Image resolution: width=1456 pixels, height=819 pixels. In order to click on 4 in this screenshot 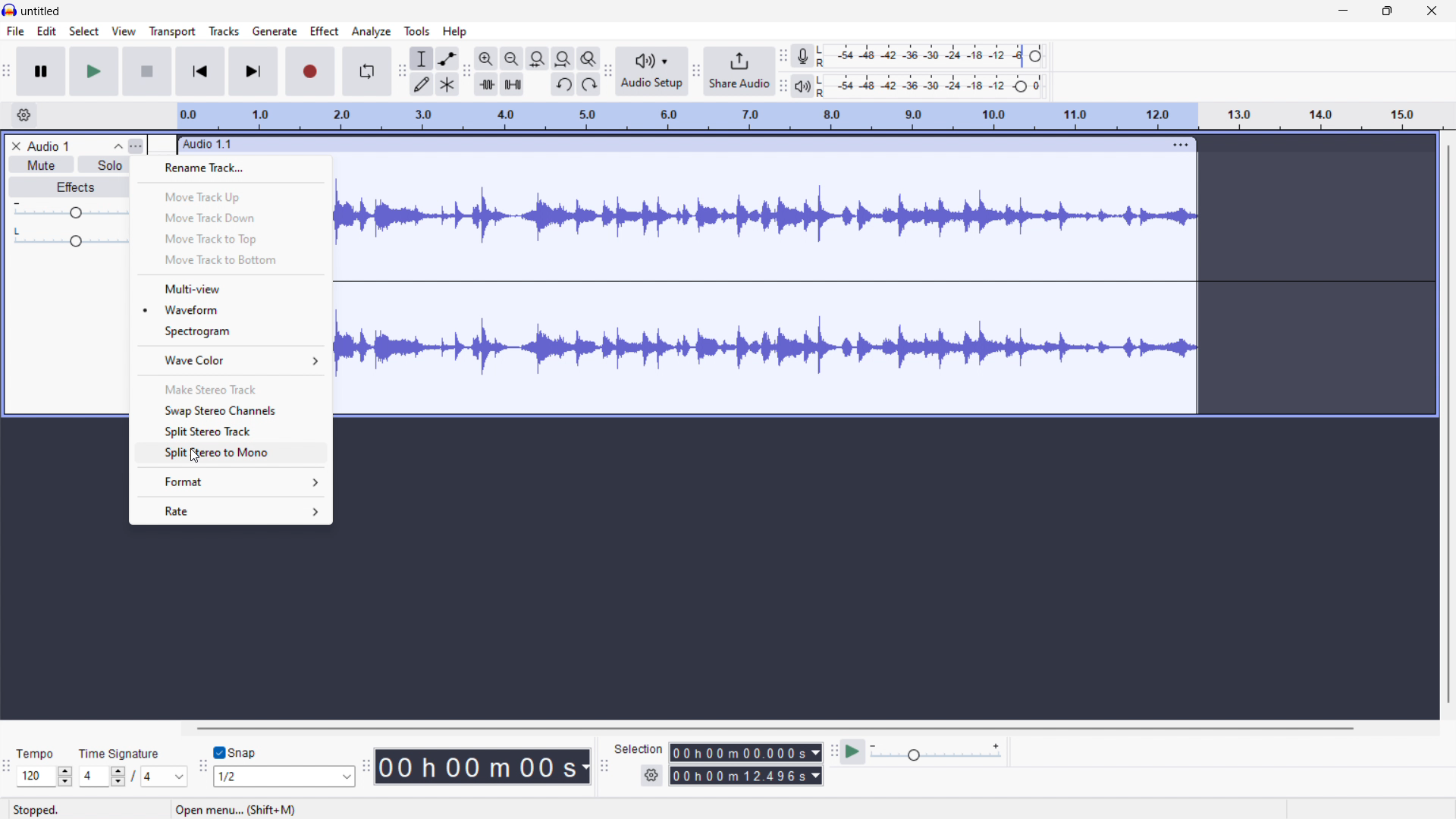, I will do `click(90, 777)`.